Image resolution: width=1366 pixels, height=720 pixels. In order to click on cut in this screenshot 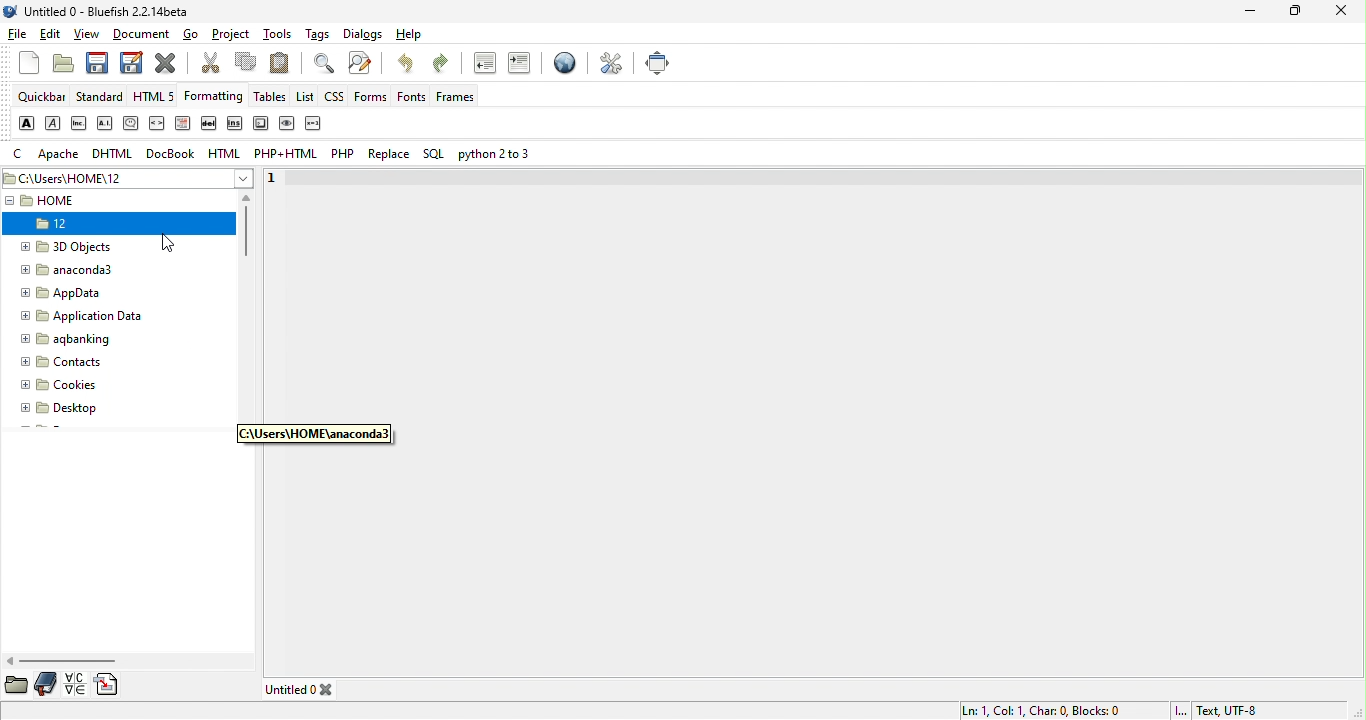, I will do `click(210, 65)`.